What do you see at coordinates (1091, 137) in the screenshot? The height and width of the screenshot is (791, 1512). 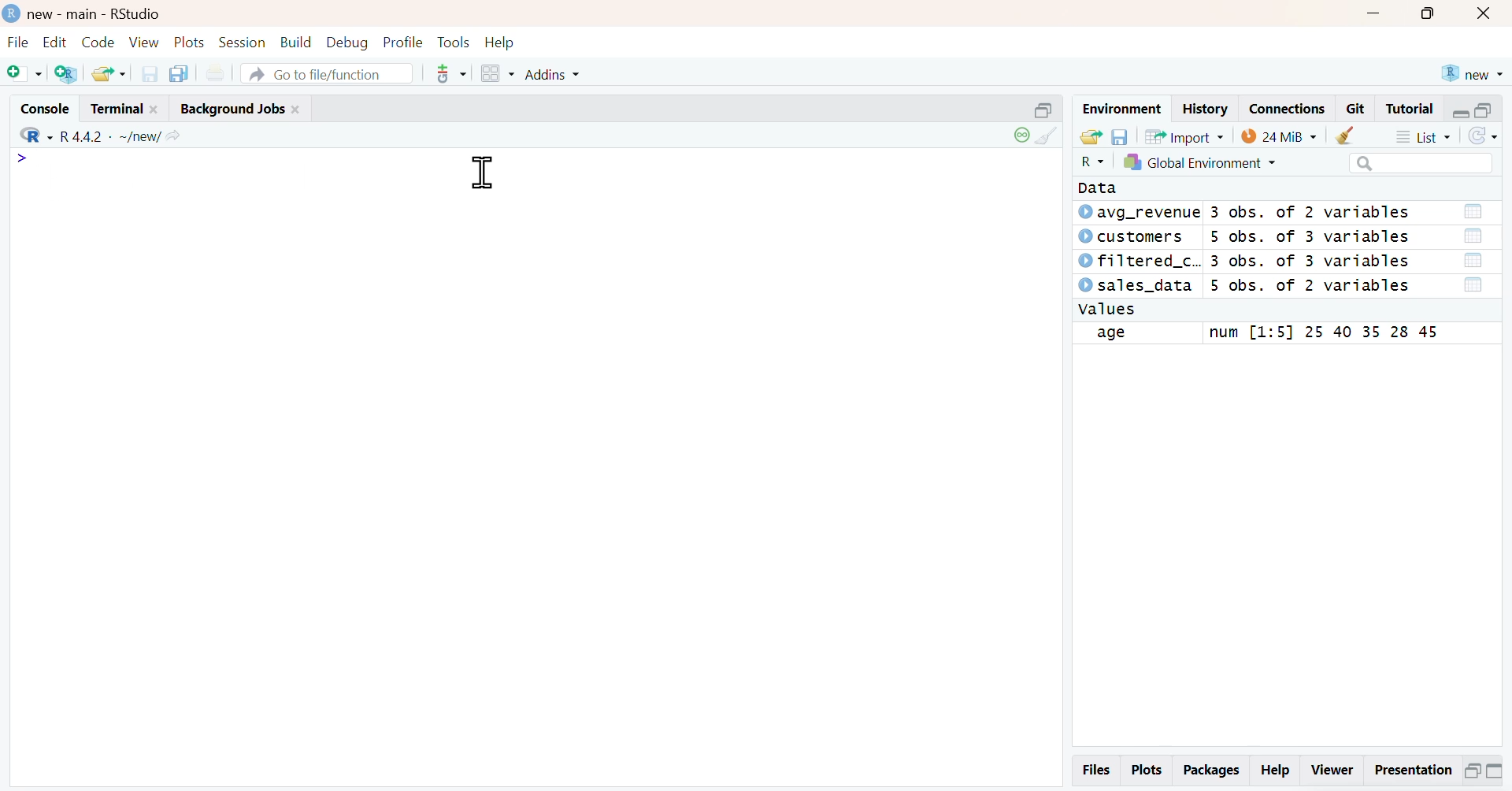 I see `load workspace` at bounding box center [1091, 137].